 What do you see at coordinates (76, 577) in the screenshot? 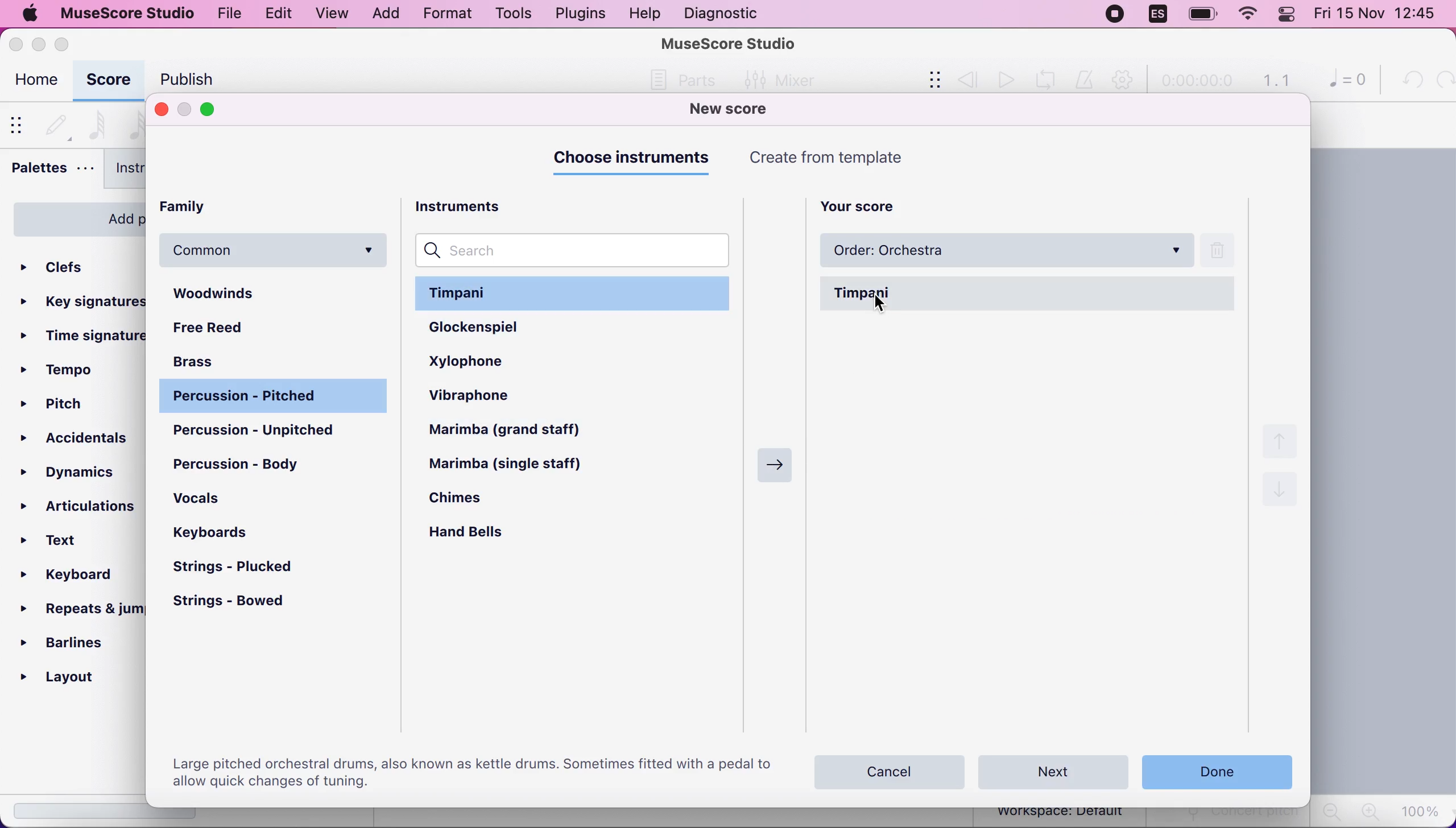
I see `keyboard` at bounding box center [76, 577].